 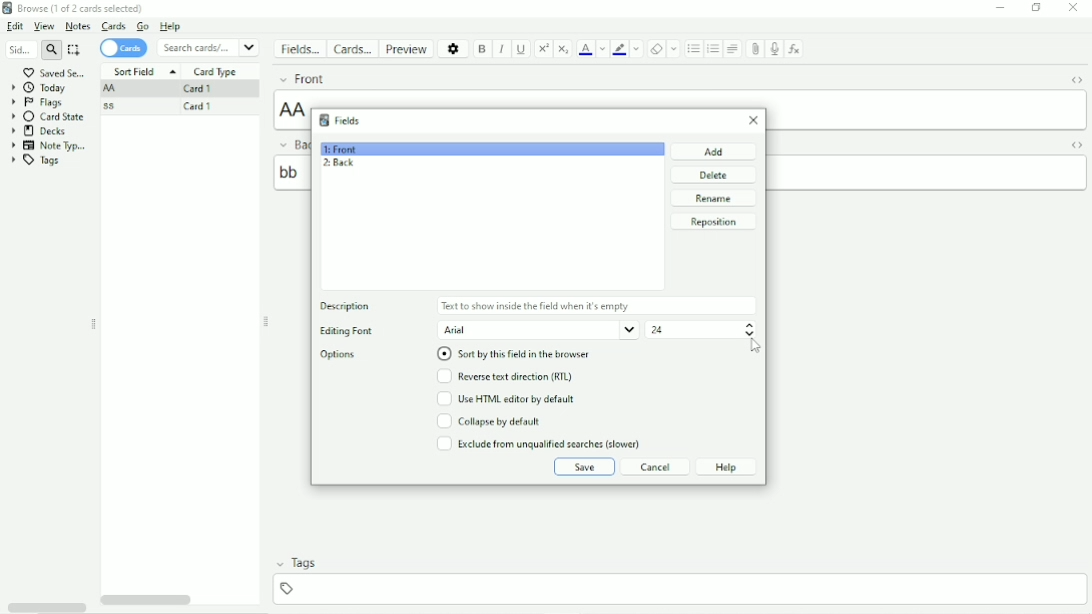 I want to click on Resize, so click(x=93, y=324).